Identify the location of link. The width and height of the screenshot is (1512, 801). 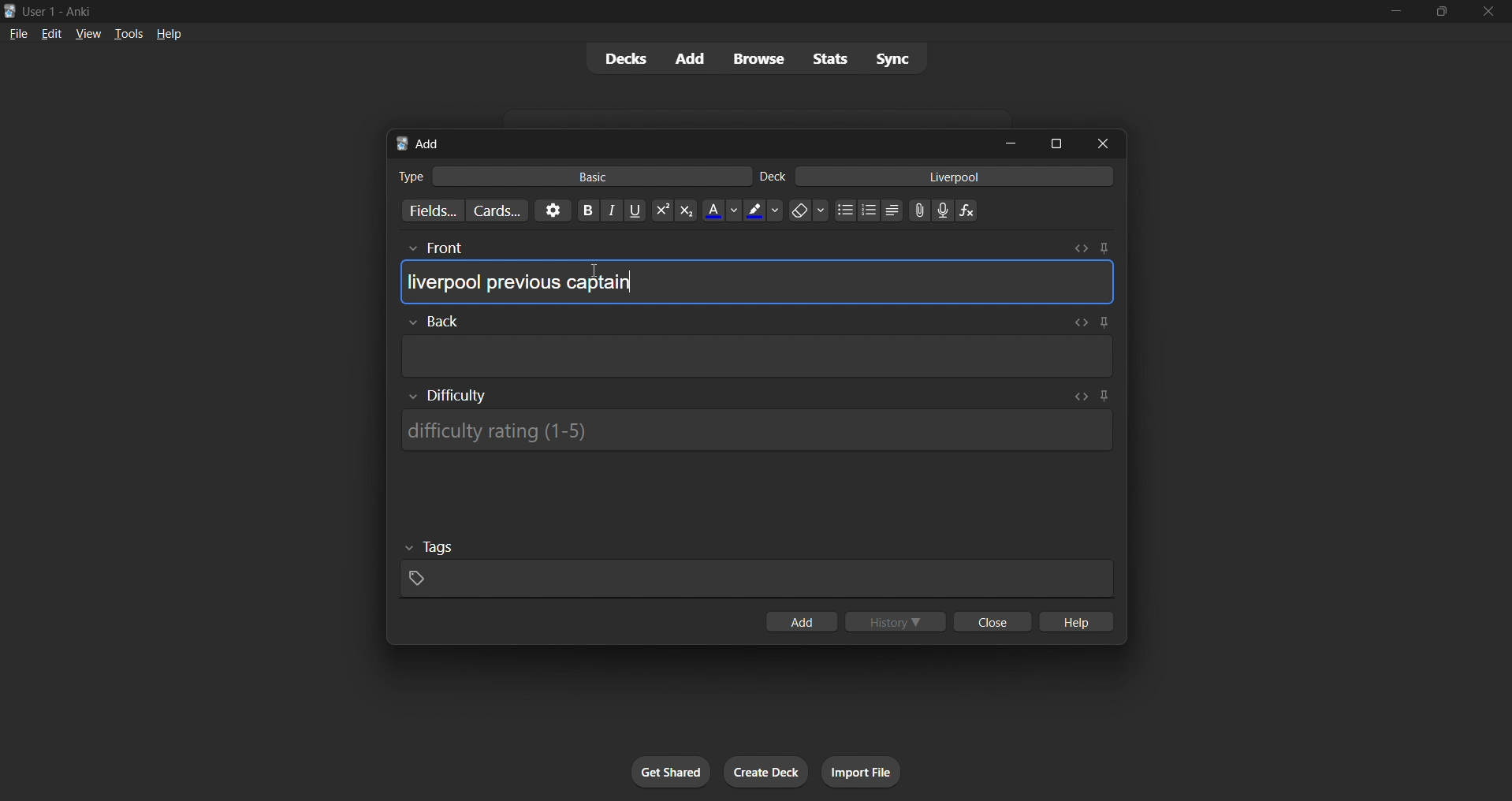
(918, 212).